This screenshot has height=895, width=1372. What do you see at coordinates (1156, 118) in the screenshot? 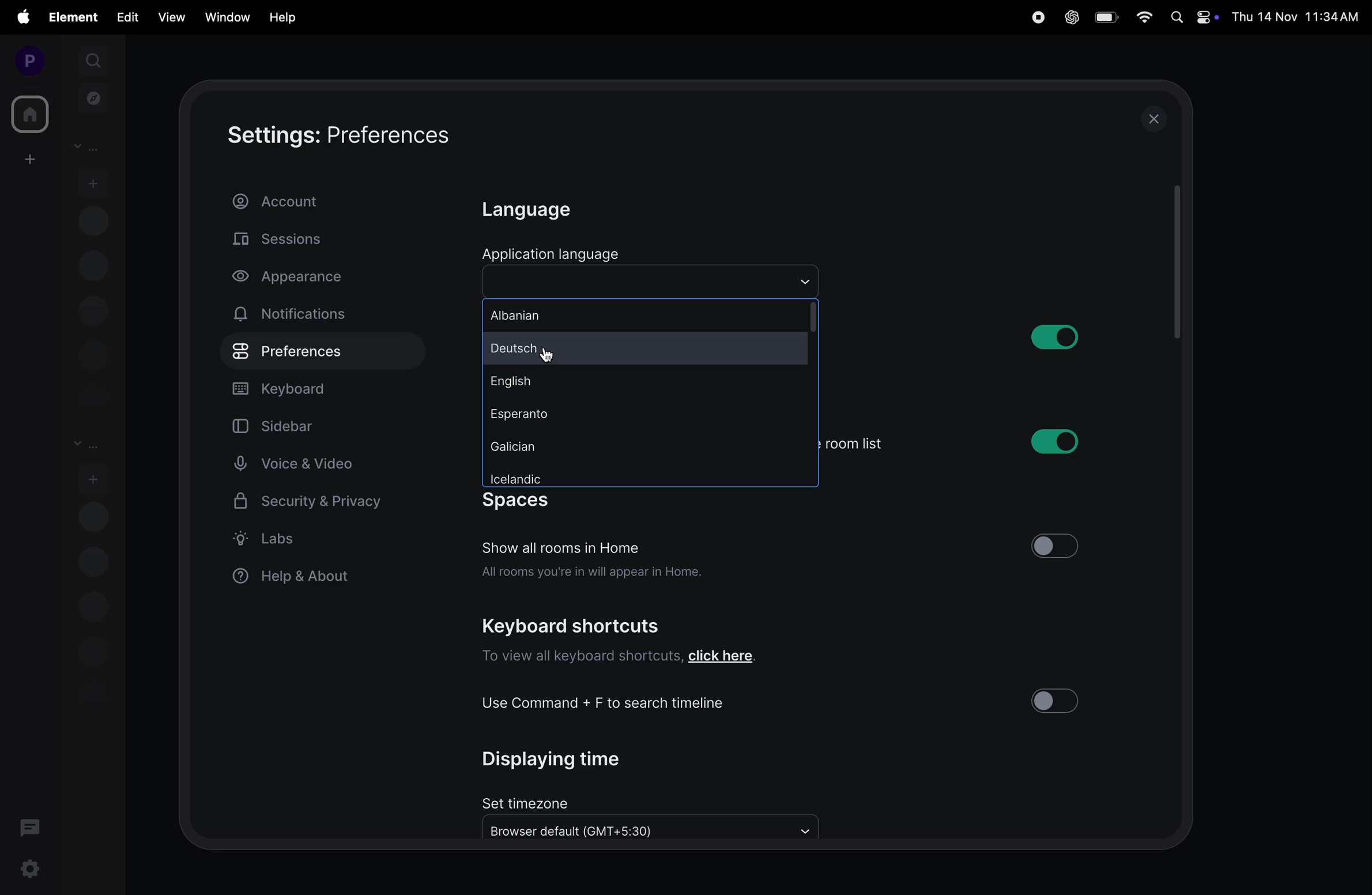
I see `close` at bounding box center [1156, 118].